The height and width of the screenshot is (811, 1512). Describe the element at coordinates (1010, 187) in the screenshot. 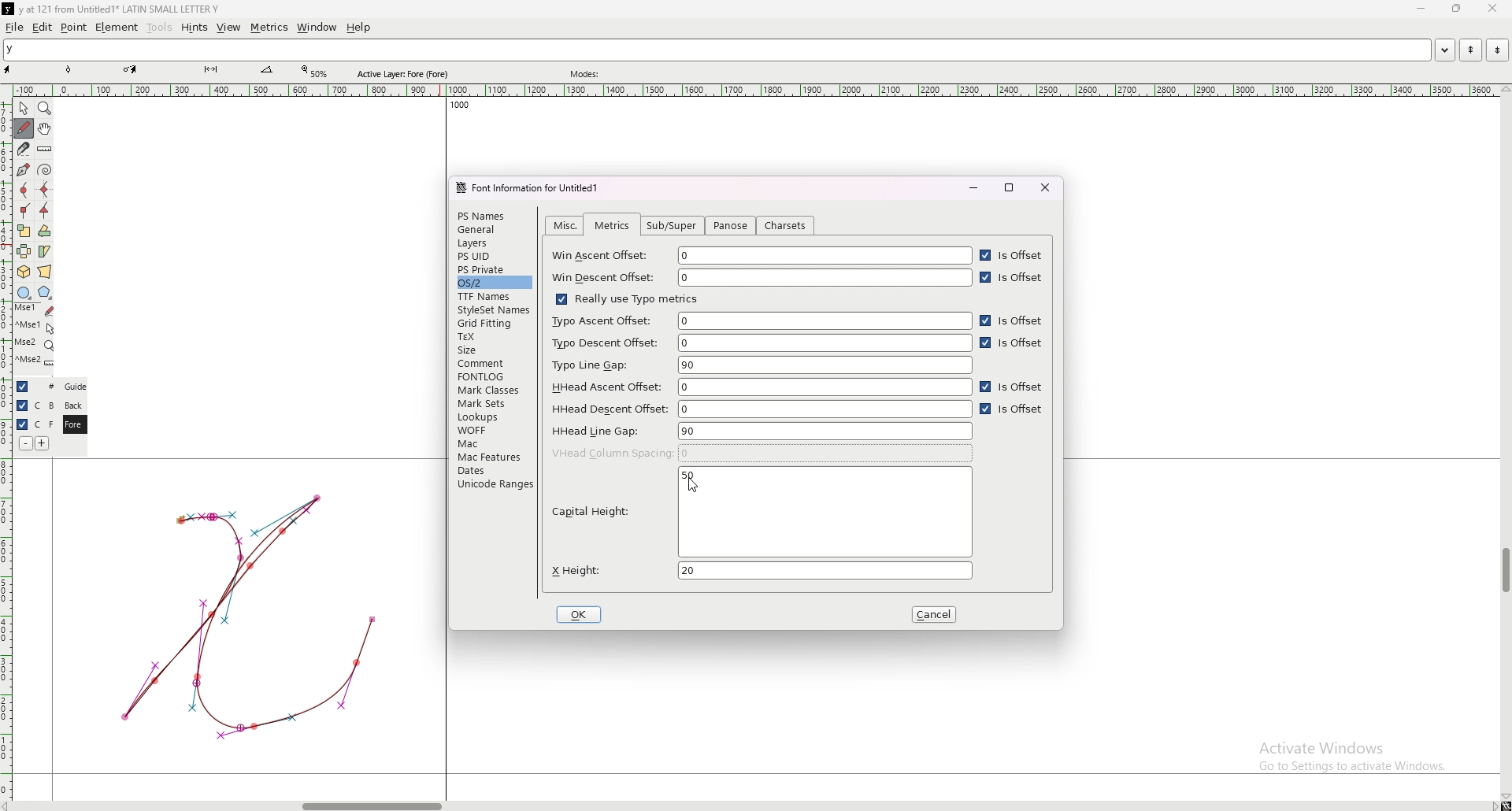

I see `maximize` at that location.